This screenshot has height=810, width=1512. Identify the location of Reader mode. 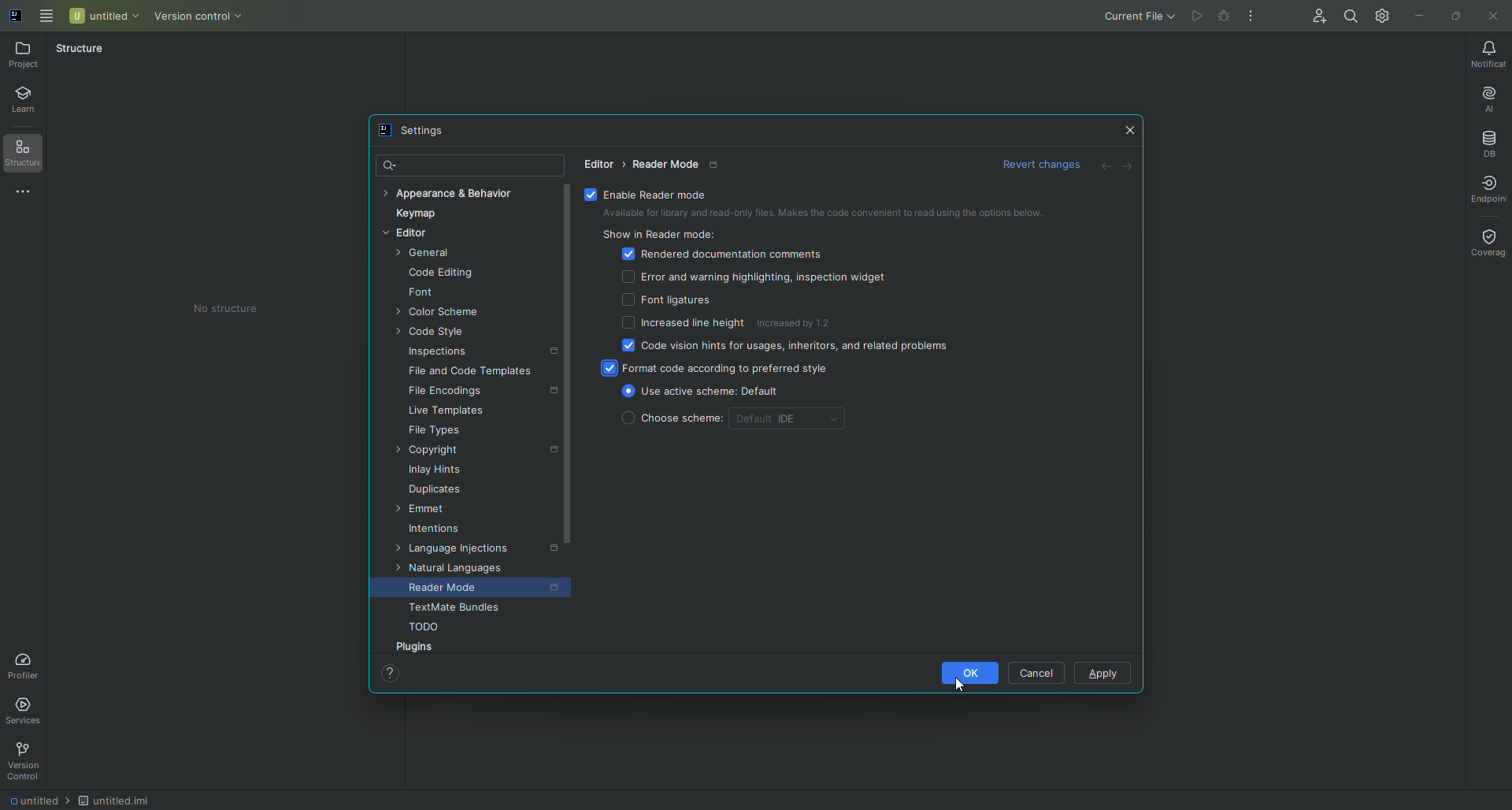
(677, 165).